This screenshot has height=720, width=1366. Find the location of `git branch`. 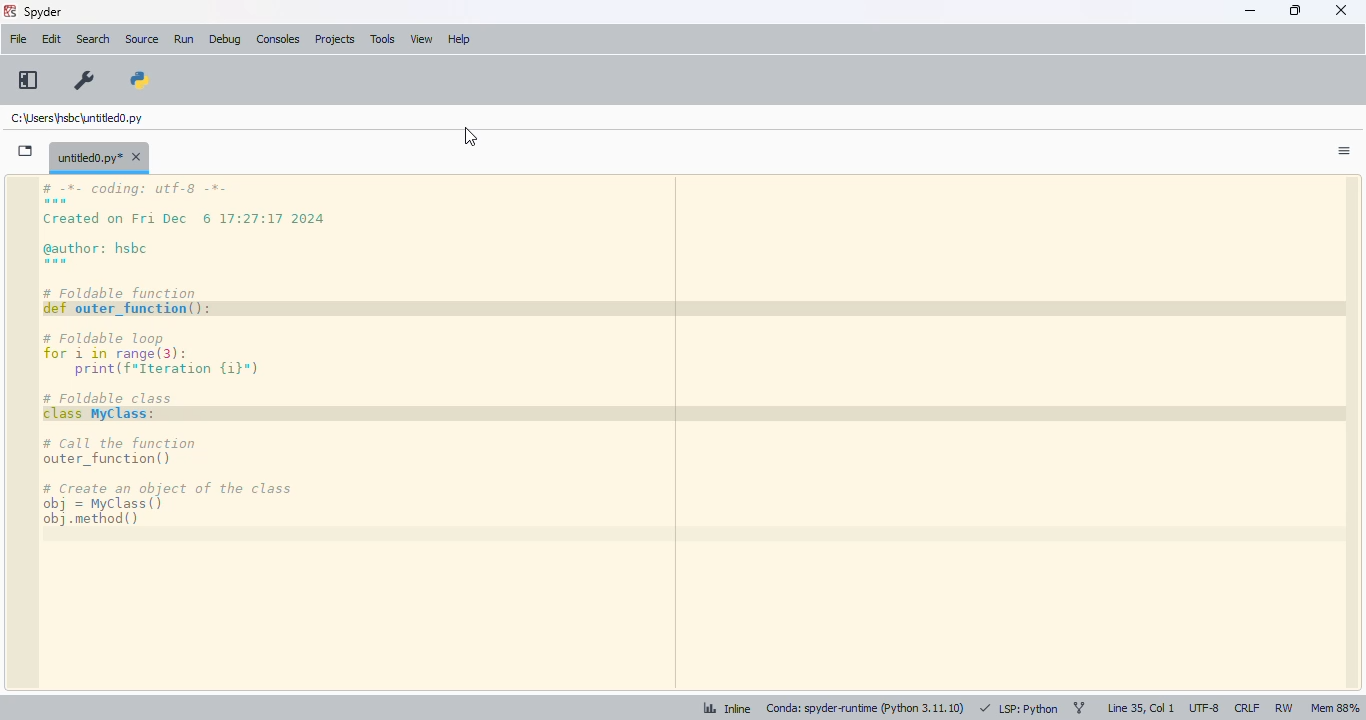

git branch is located at coordinates (1079, 709).